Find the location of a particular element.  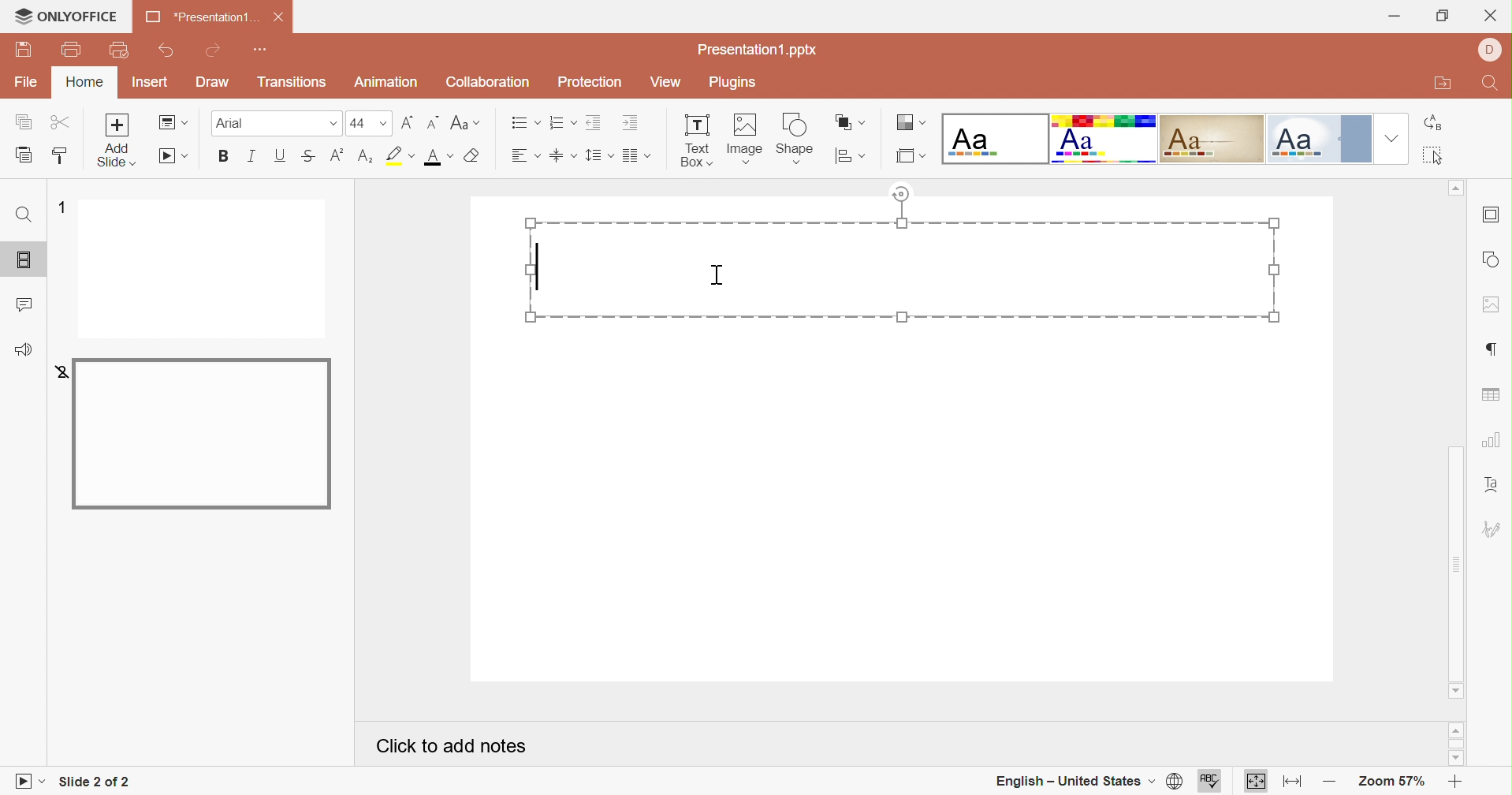

Cut is located at coordinates (65, 122).